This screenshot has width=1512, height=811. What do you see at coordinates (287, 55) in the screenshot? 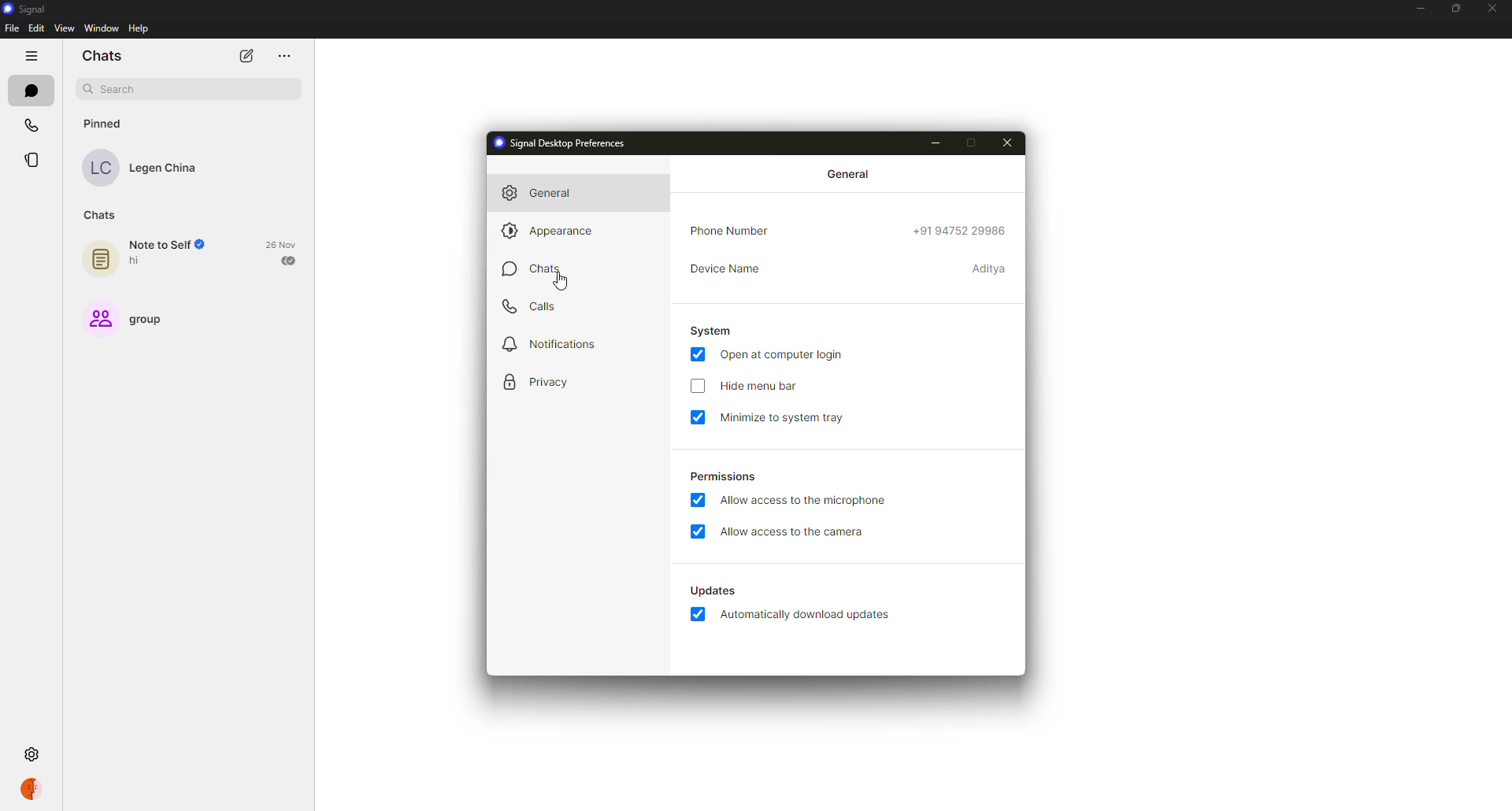
I see `more` at bounding box center [287, 55].